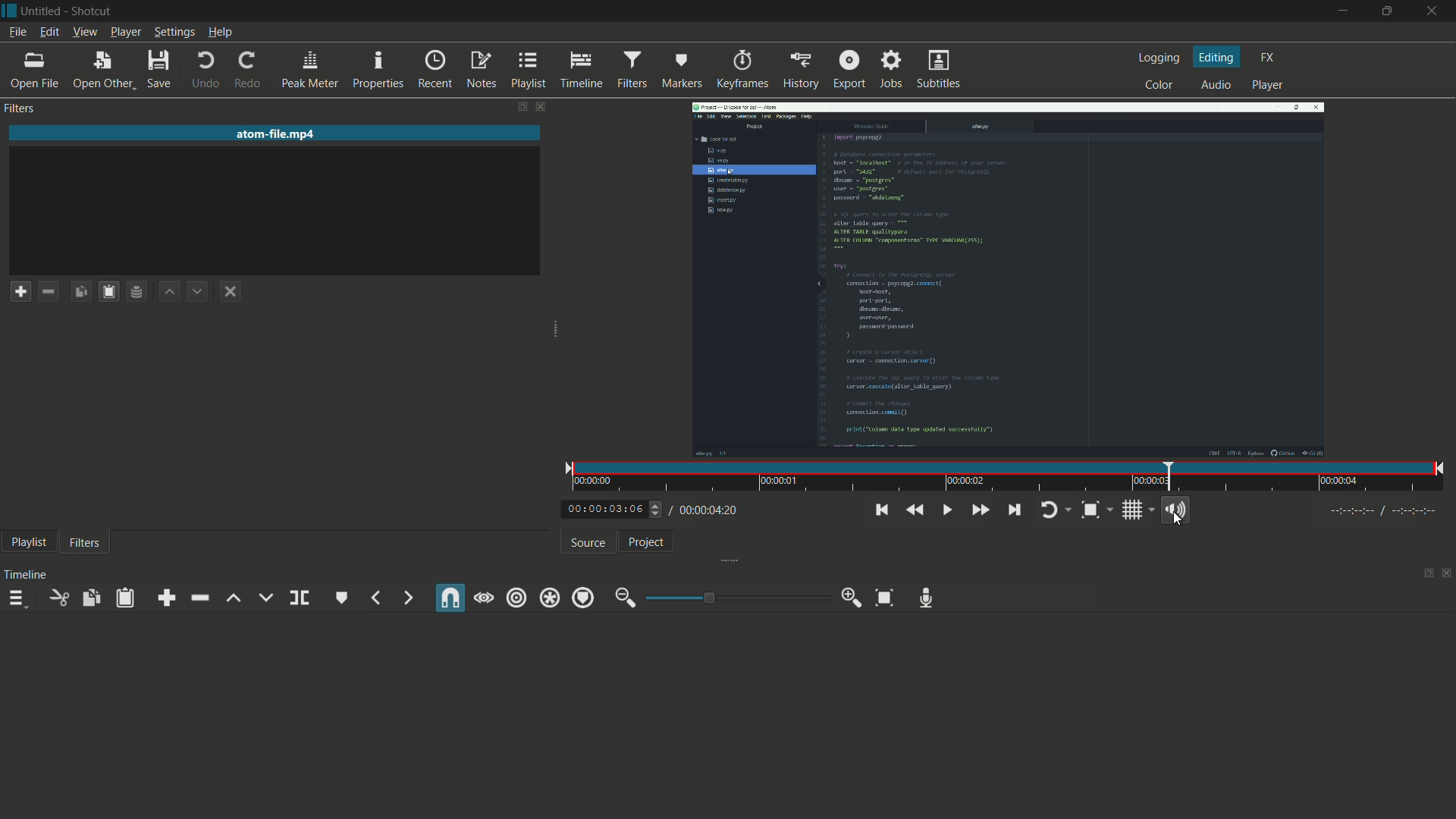 This screenshot has height=819, width=1456. Describe the element at coordinates (940, 70) in the screenshot. I see `subtitles` at that location.